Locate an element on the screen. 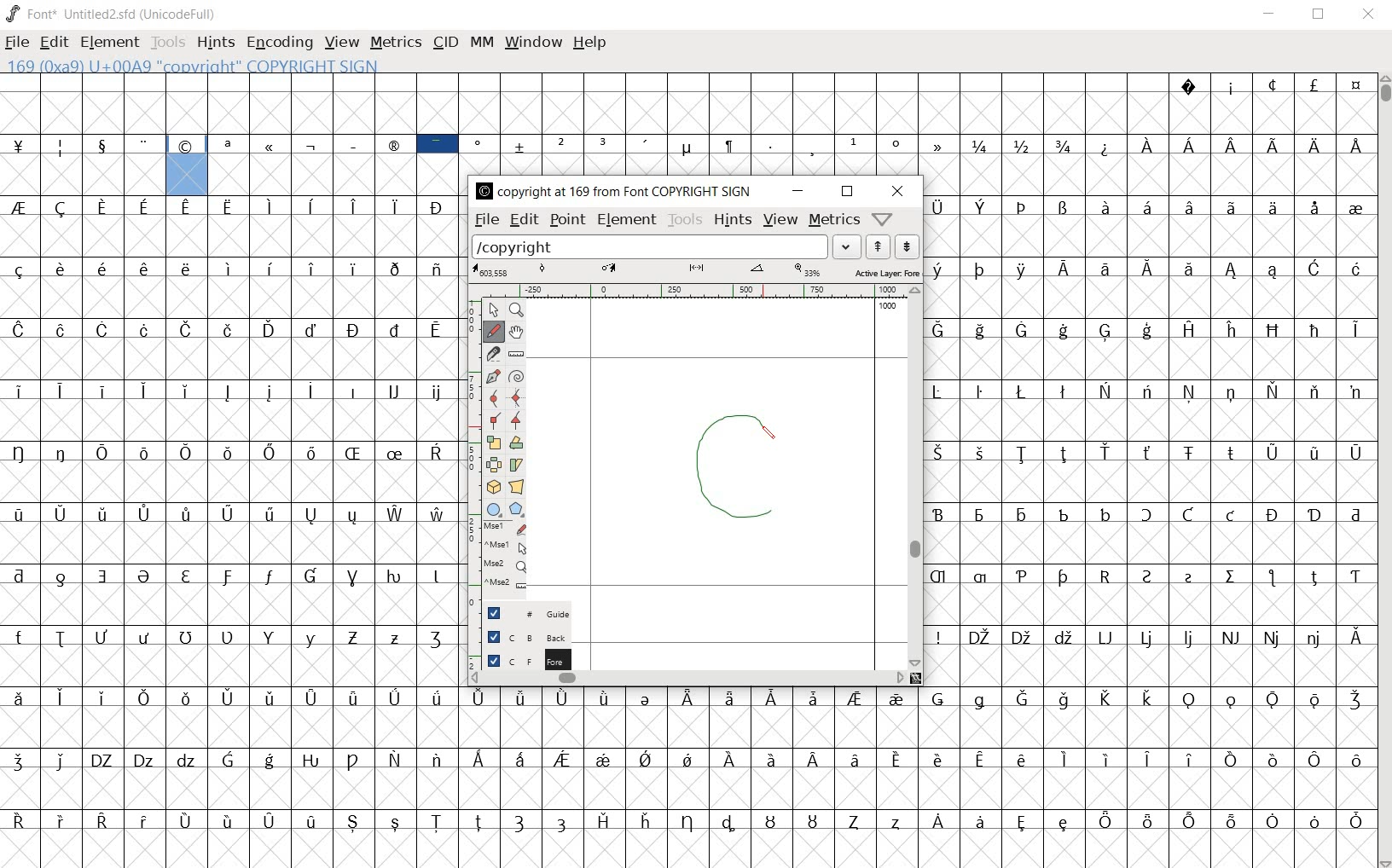  169 (0x9a) U+00A9 "copyright" COPYRIGHT SIGN is located at coordinates (200, 65).